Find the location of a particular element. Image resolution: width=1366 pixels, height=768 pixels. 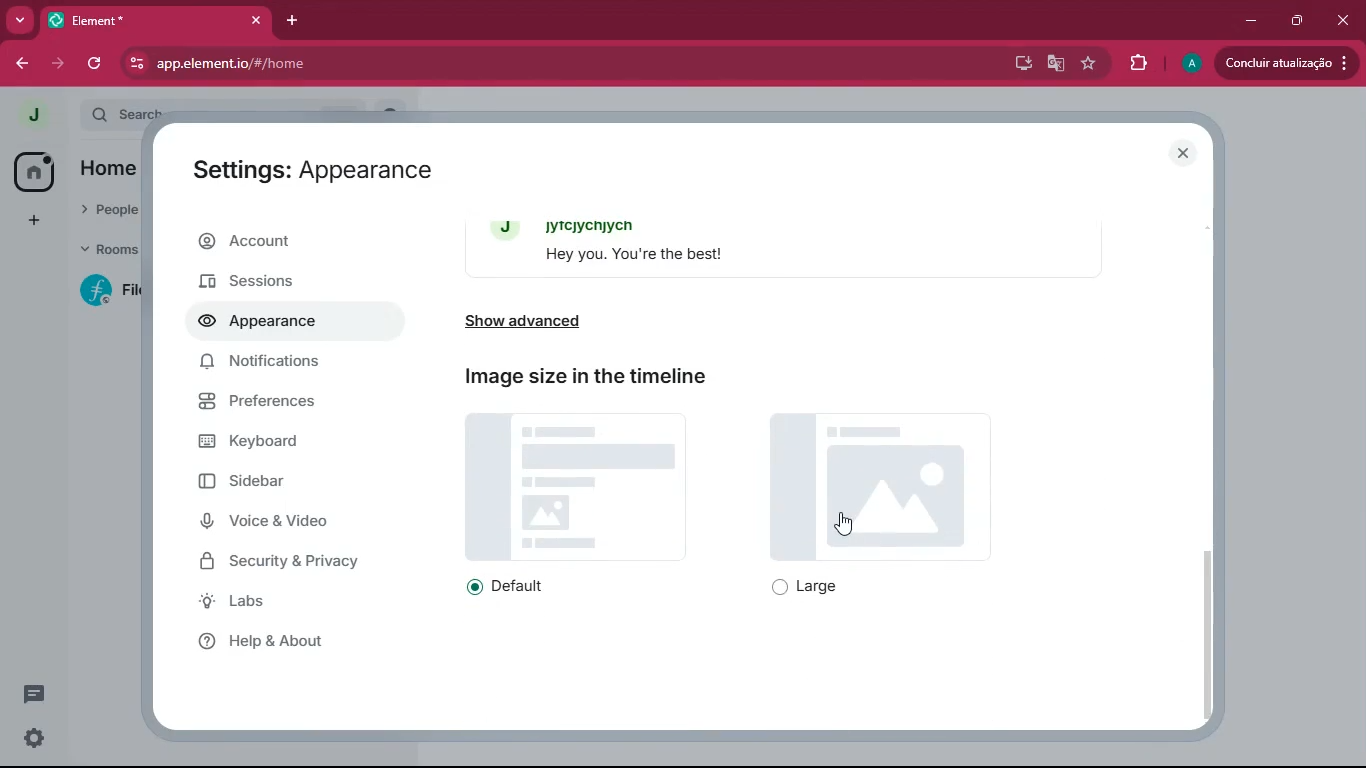

show advanced is located at coordinates (560, 321).